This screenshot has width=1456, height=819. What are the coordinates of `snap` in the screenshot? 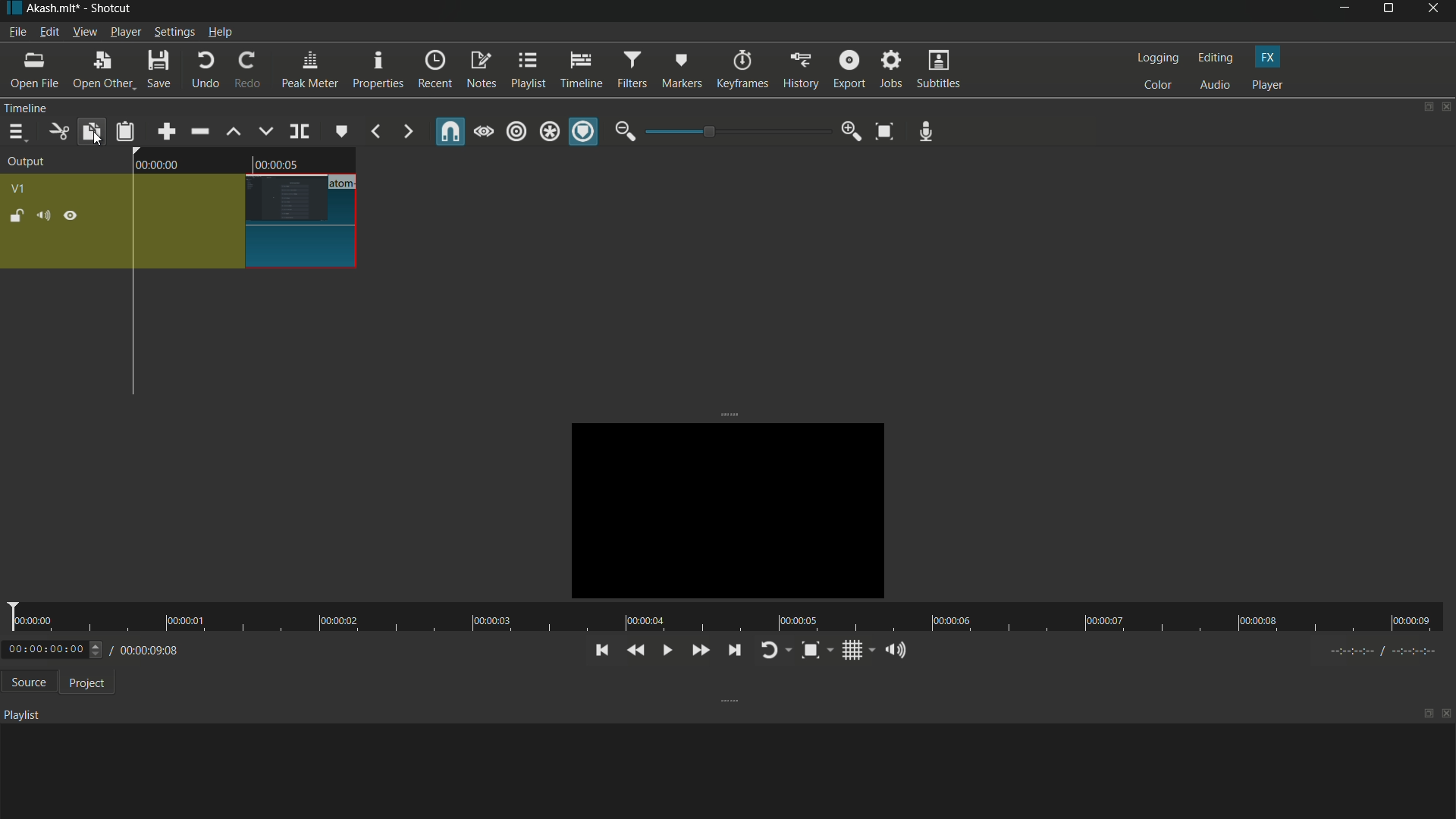 It's located at (452, 131).